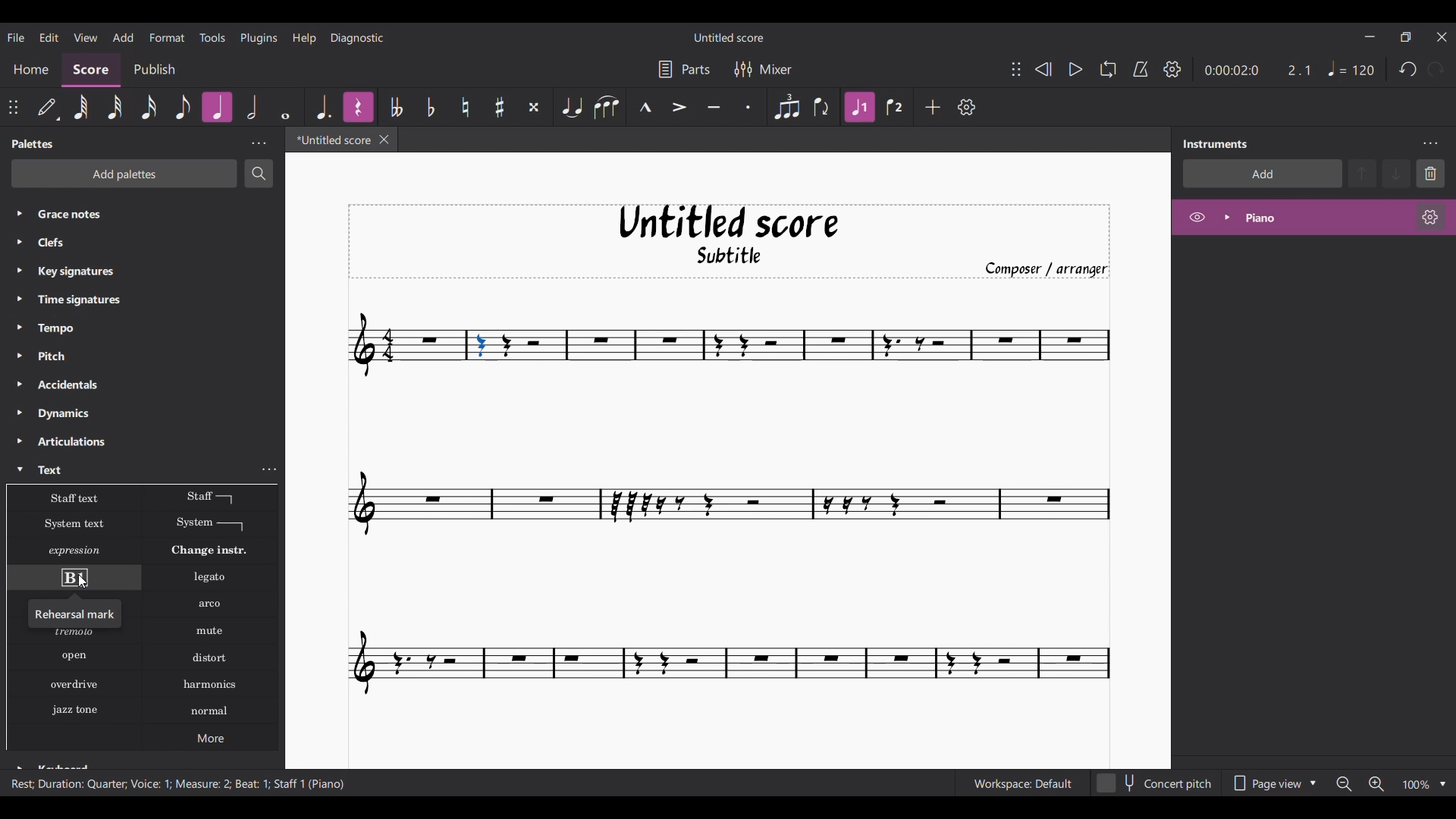 Image resolution: width=1456 pixels, height=819 pixels. Describe the element at coordinates (466, 107) in the screenshot. I see `Toggle natural` at that location.